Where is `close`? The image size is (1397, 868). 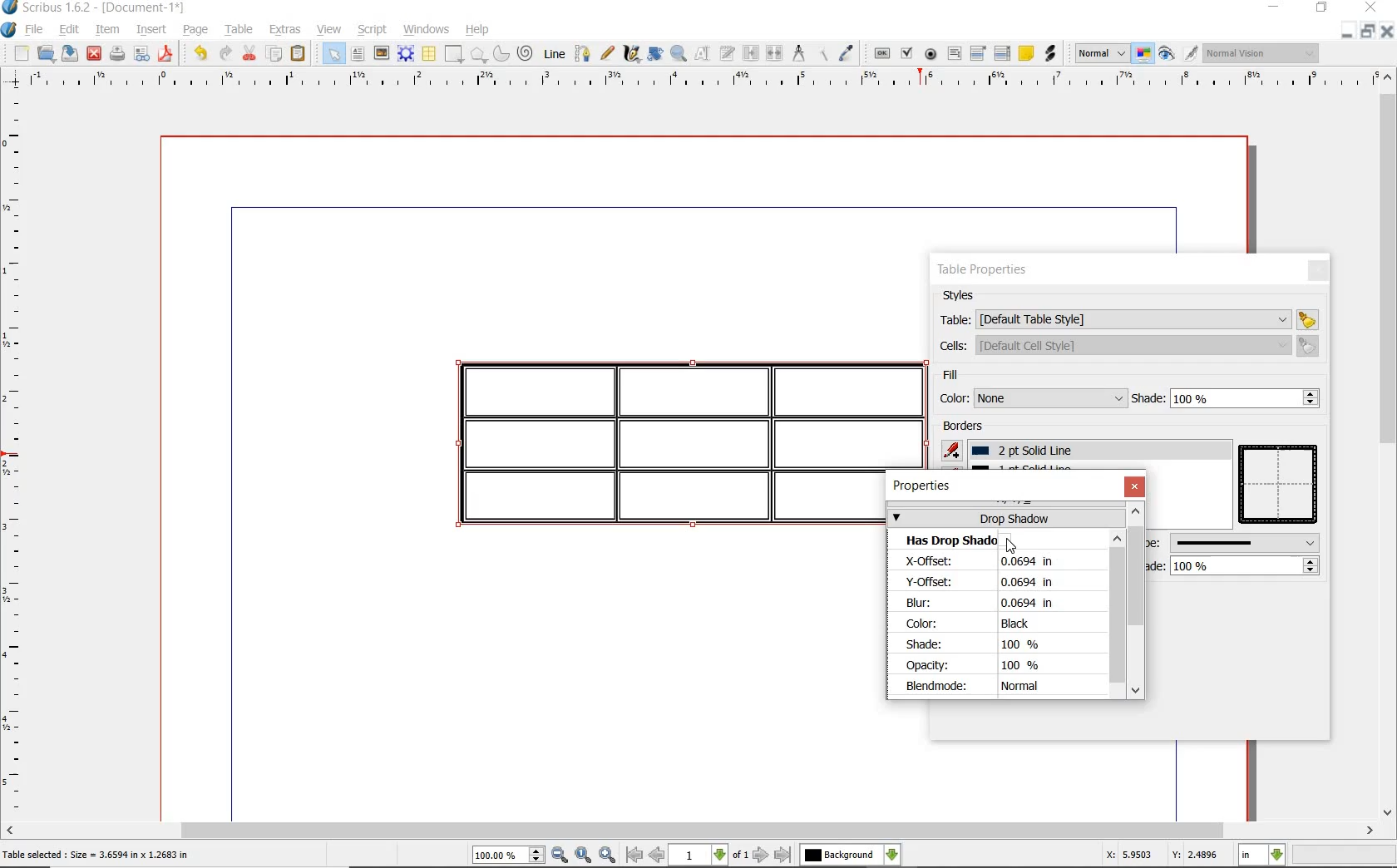 close is located at coordinates (1134, 486).